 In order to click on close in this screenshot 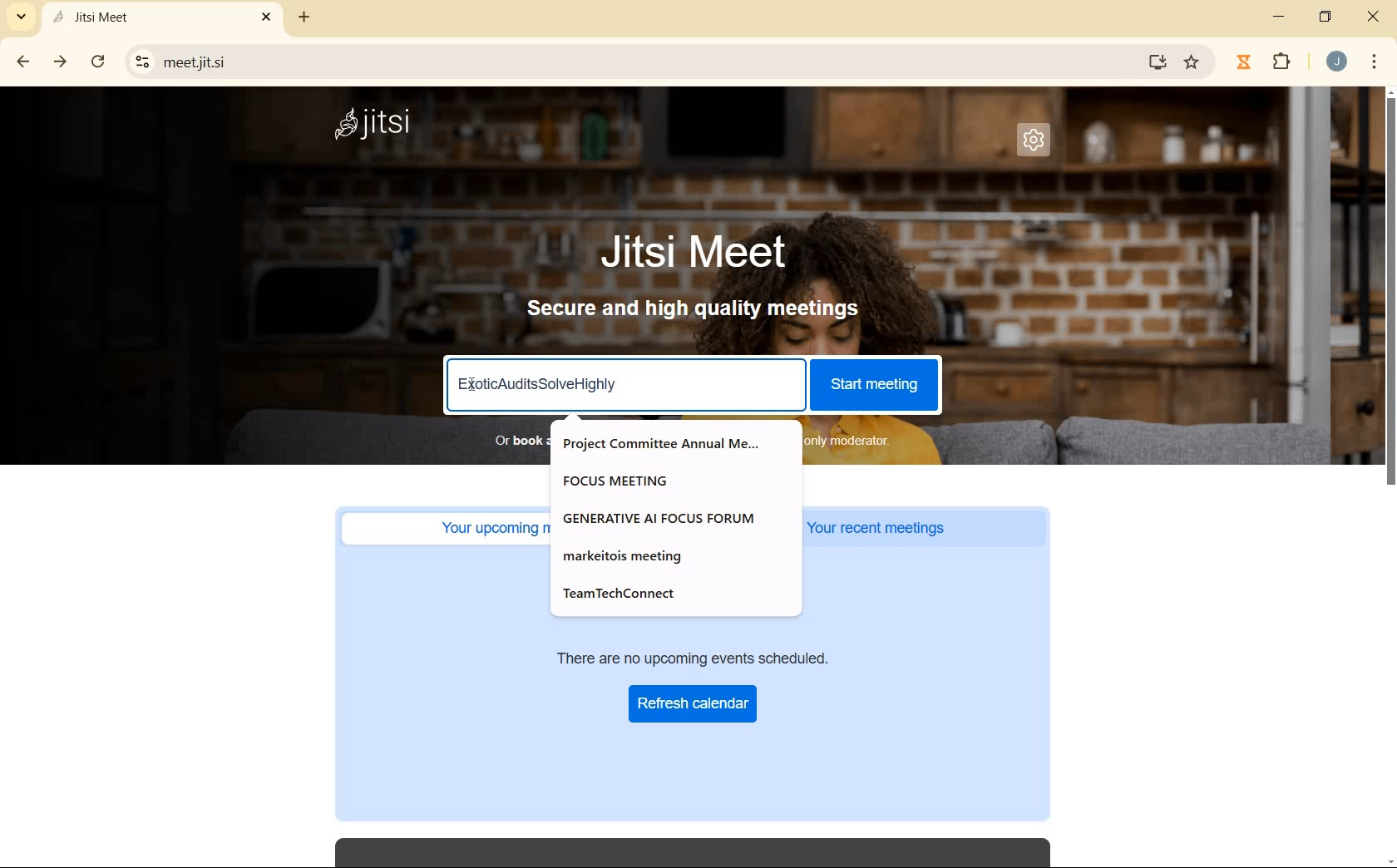, I will do `click(1374, 19)`.